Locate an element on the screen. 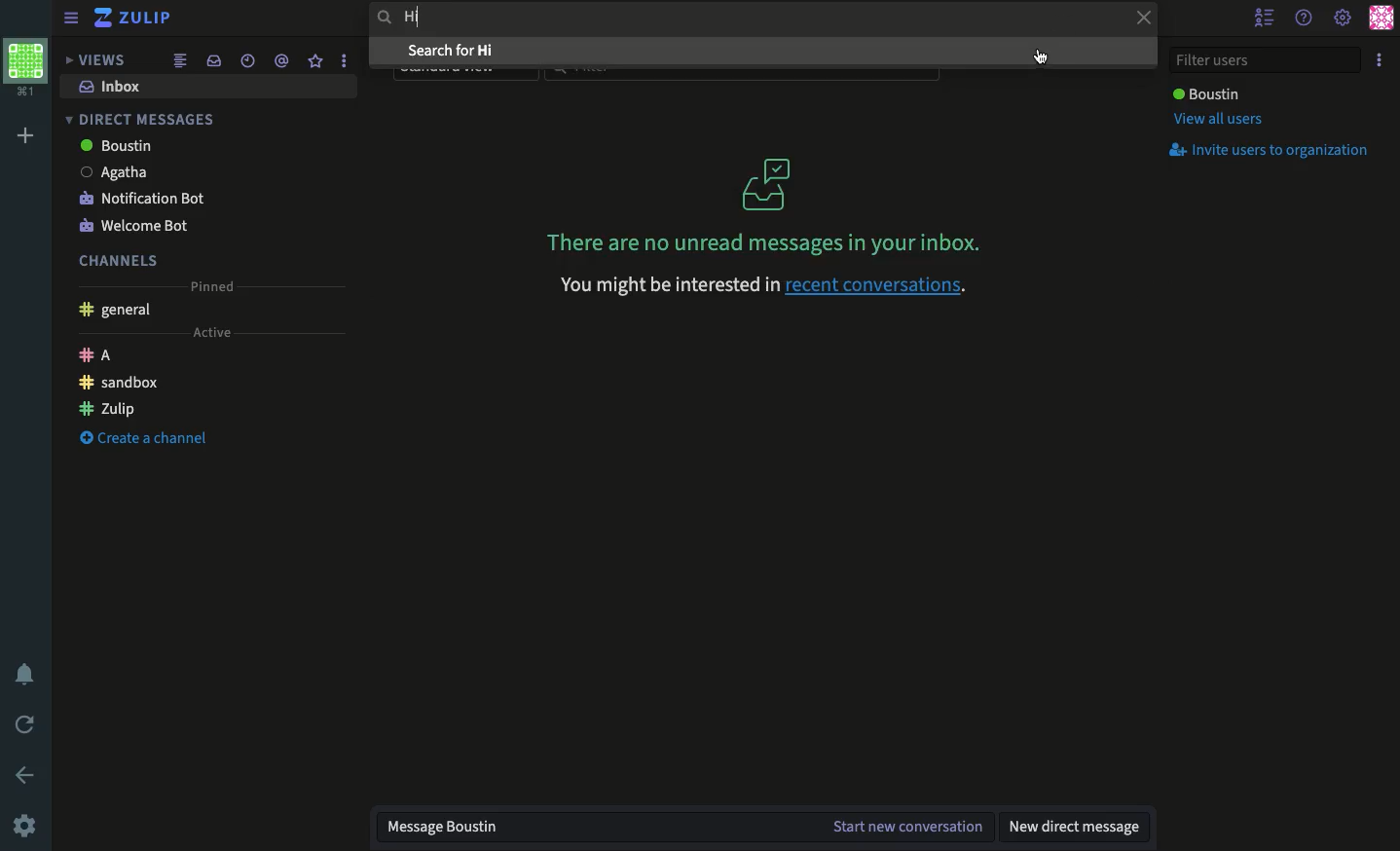  Create a channe is located at coordinates (144, 438).